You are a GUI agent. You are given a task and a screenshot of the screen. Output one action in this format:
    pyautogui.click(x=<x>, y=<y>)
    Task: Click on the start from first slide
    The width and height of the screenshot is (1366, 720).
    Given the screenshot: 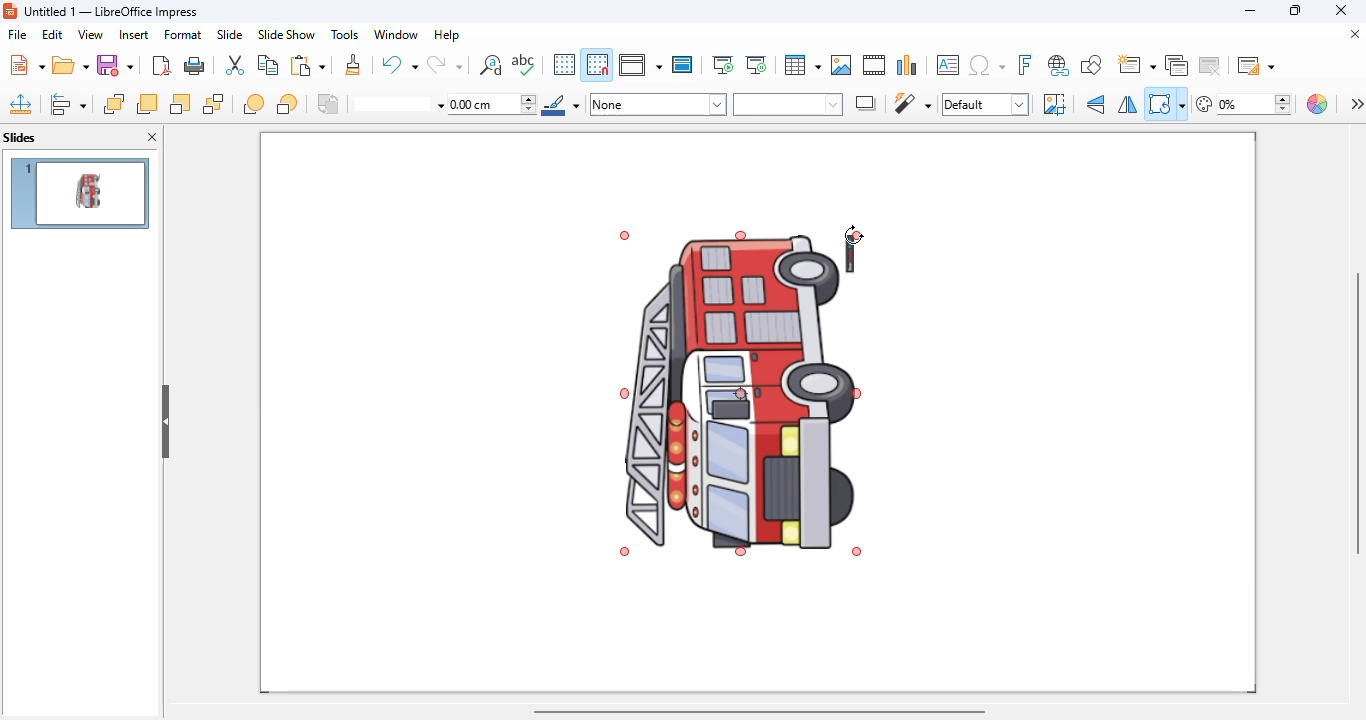 What is the action you would take?
    pyautogui.click(x=724, y=65)
    